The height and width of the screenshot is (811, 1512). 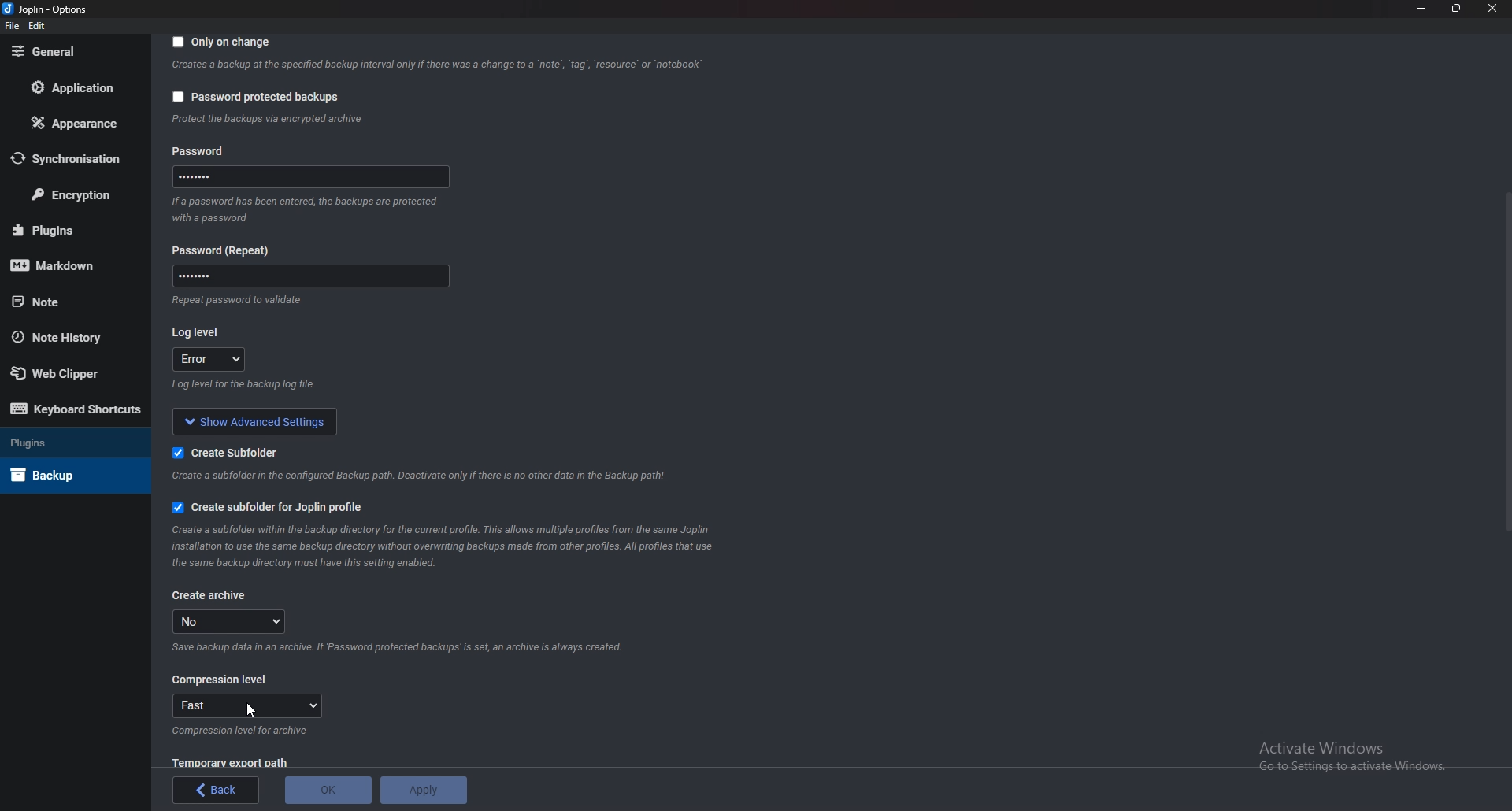 I want to click on error, so click(x=211, y=360).